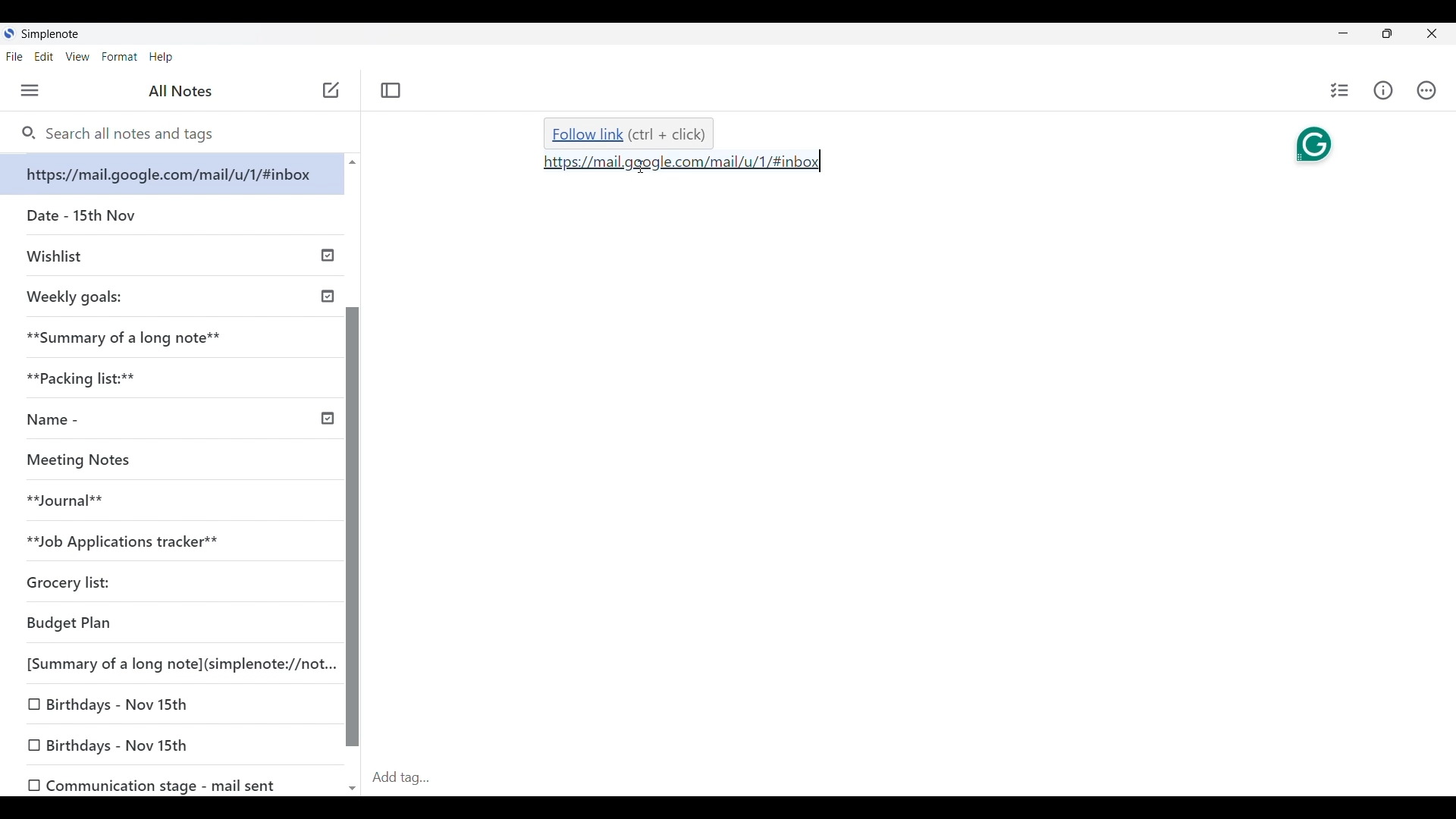 The width and height of the screenshot is (1456, 819). Describe the element at coordinates (682, 162) in the screenshot. I see `Link added to note for quick access` at that location.